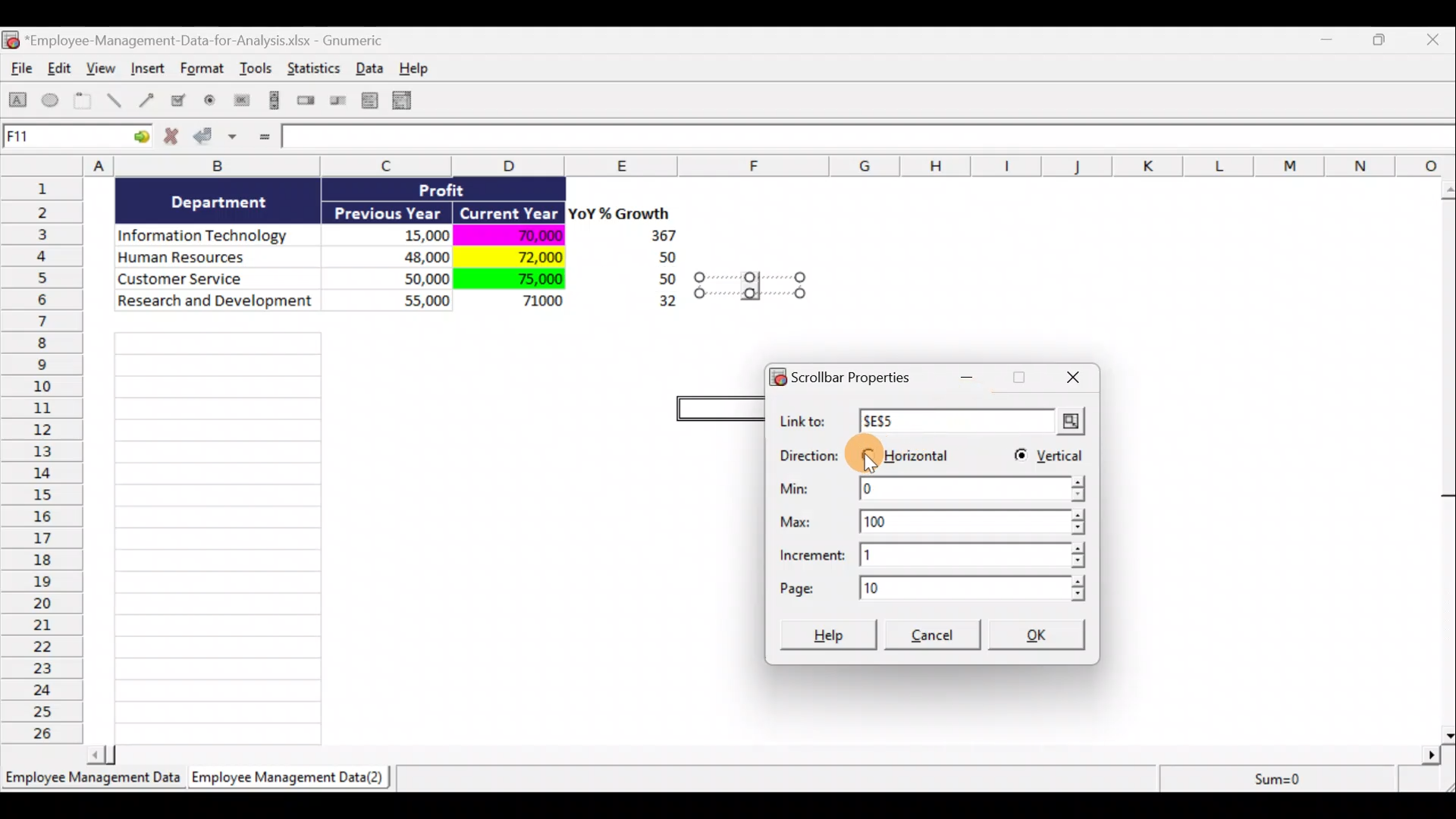 The image size is (1456, 819). I want to click on Help, so click(830, 633).